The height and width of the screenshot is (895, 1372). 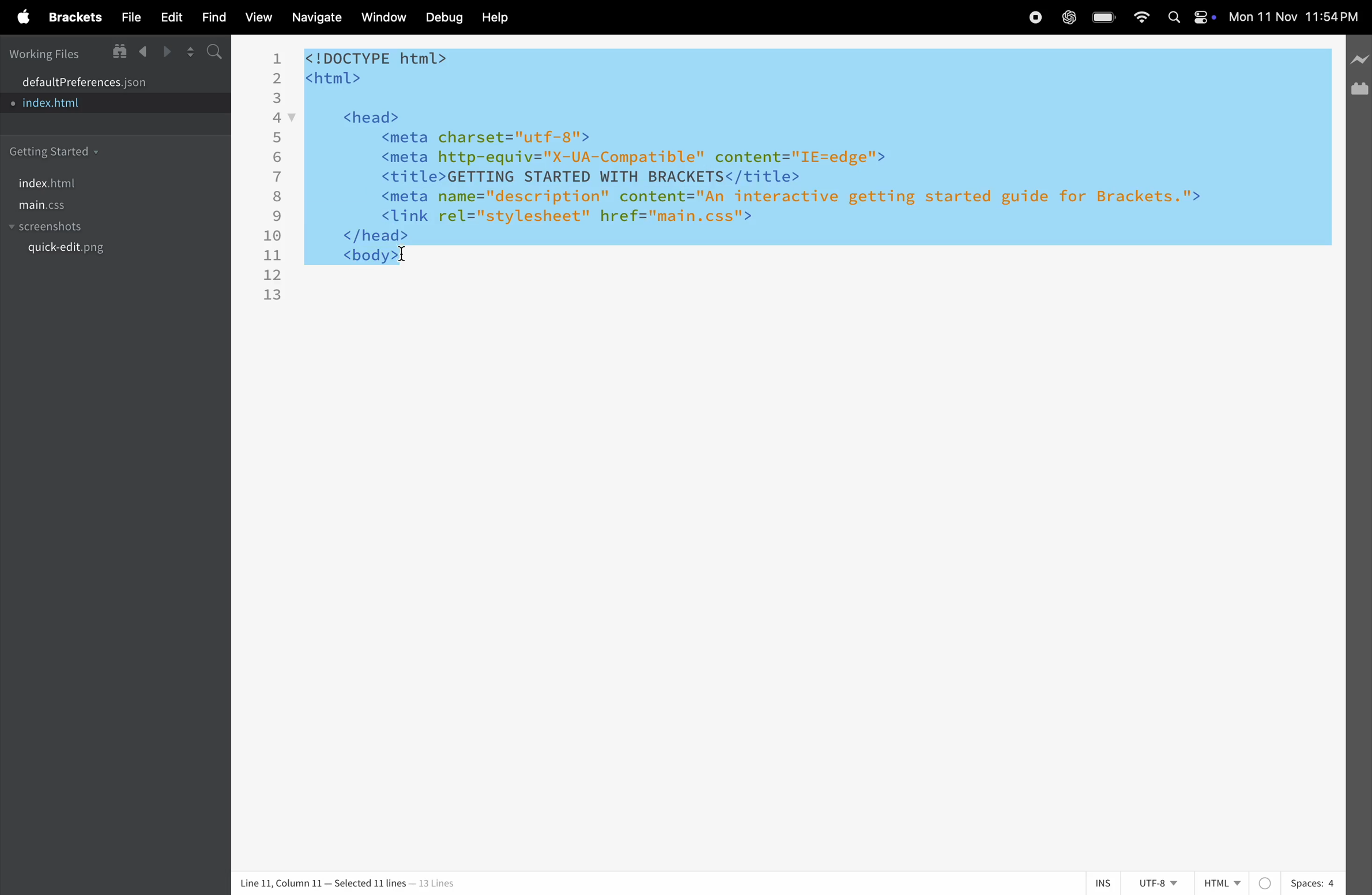 I want to click on debuf, so click(x=444, y=18).